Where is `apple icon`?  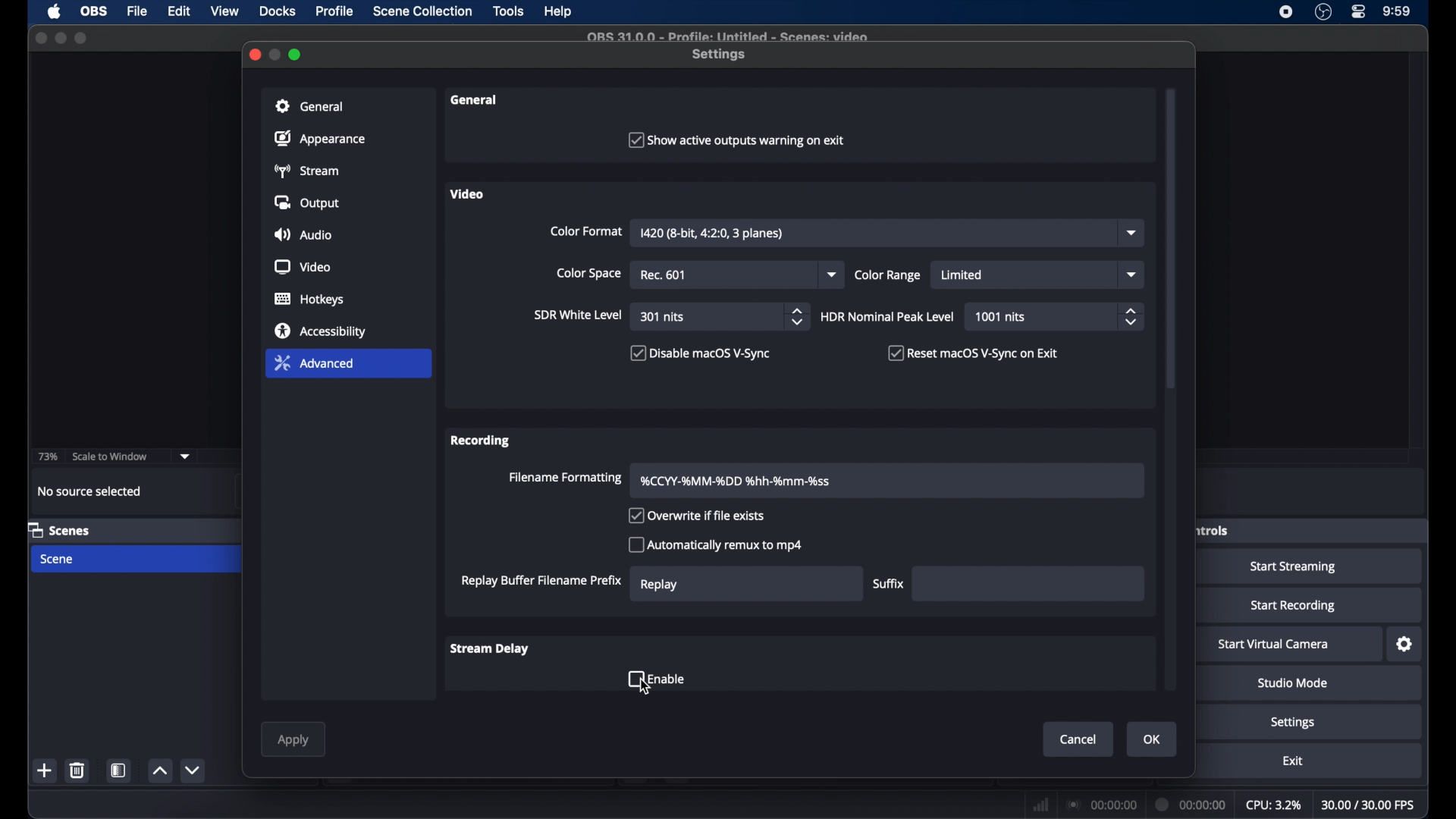
apple icon is located at coordinates (54, 12).